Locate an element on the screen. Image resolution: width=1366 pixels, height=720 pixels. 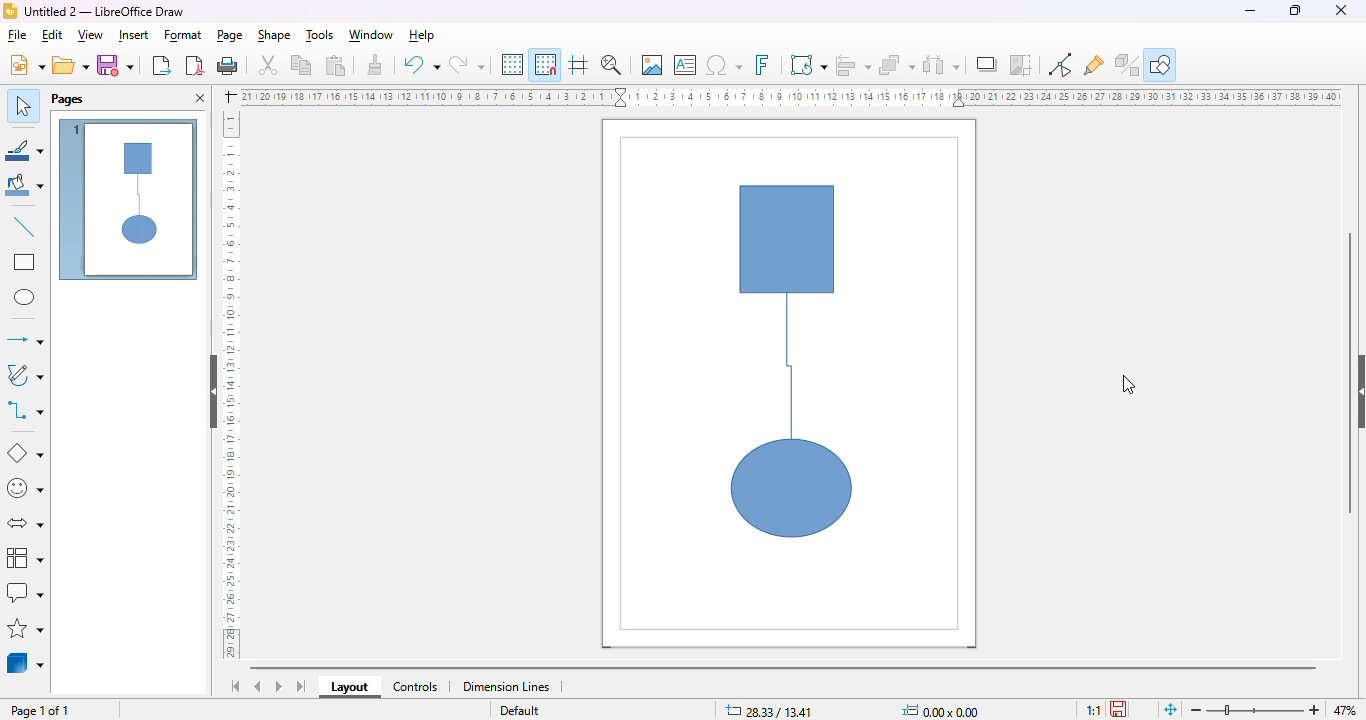
insert line is located at coordinates (25, 226).